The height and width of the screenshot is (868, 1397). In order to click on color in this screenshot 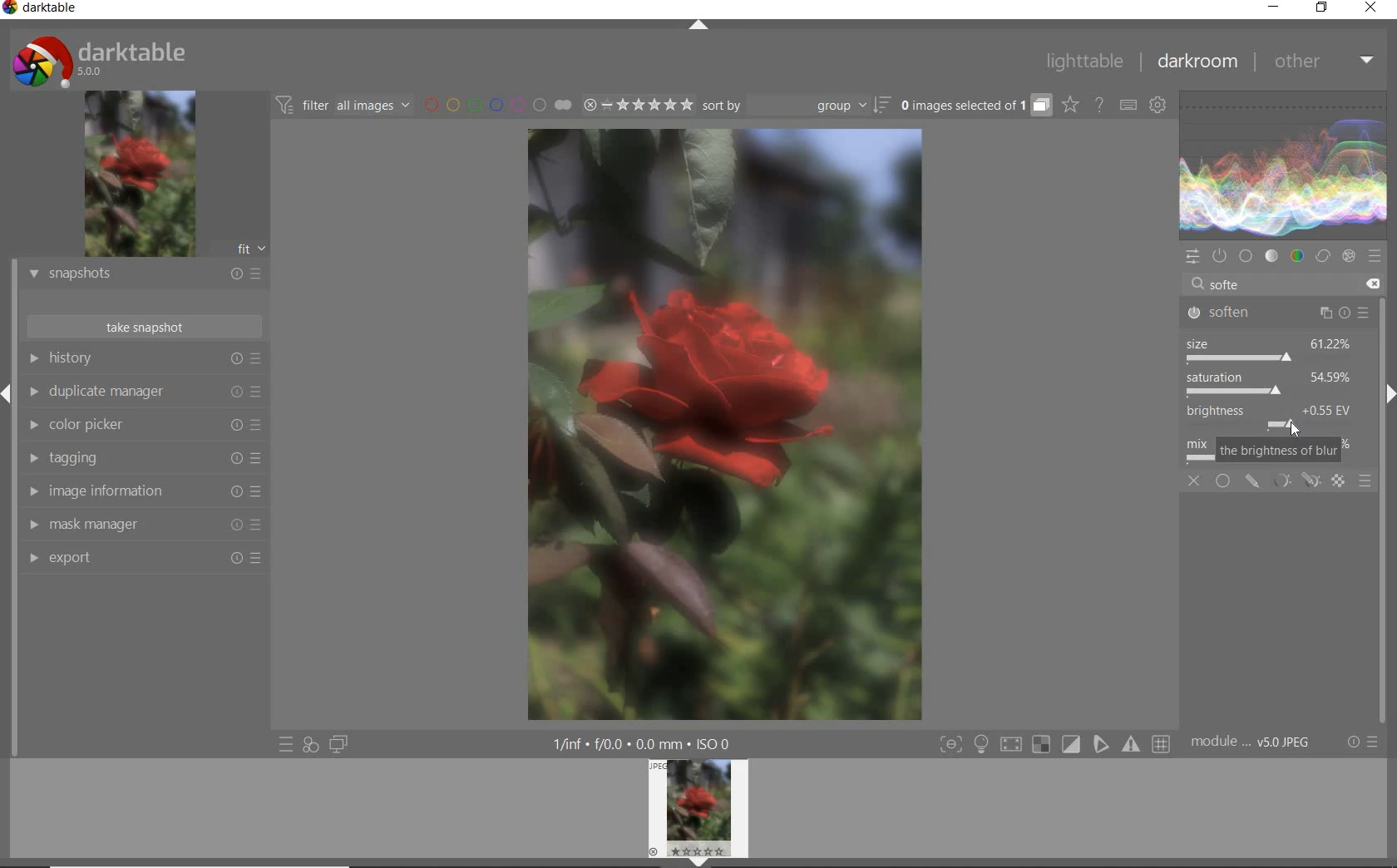, I will do `click(1298, 256)`.